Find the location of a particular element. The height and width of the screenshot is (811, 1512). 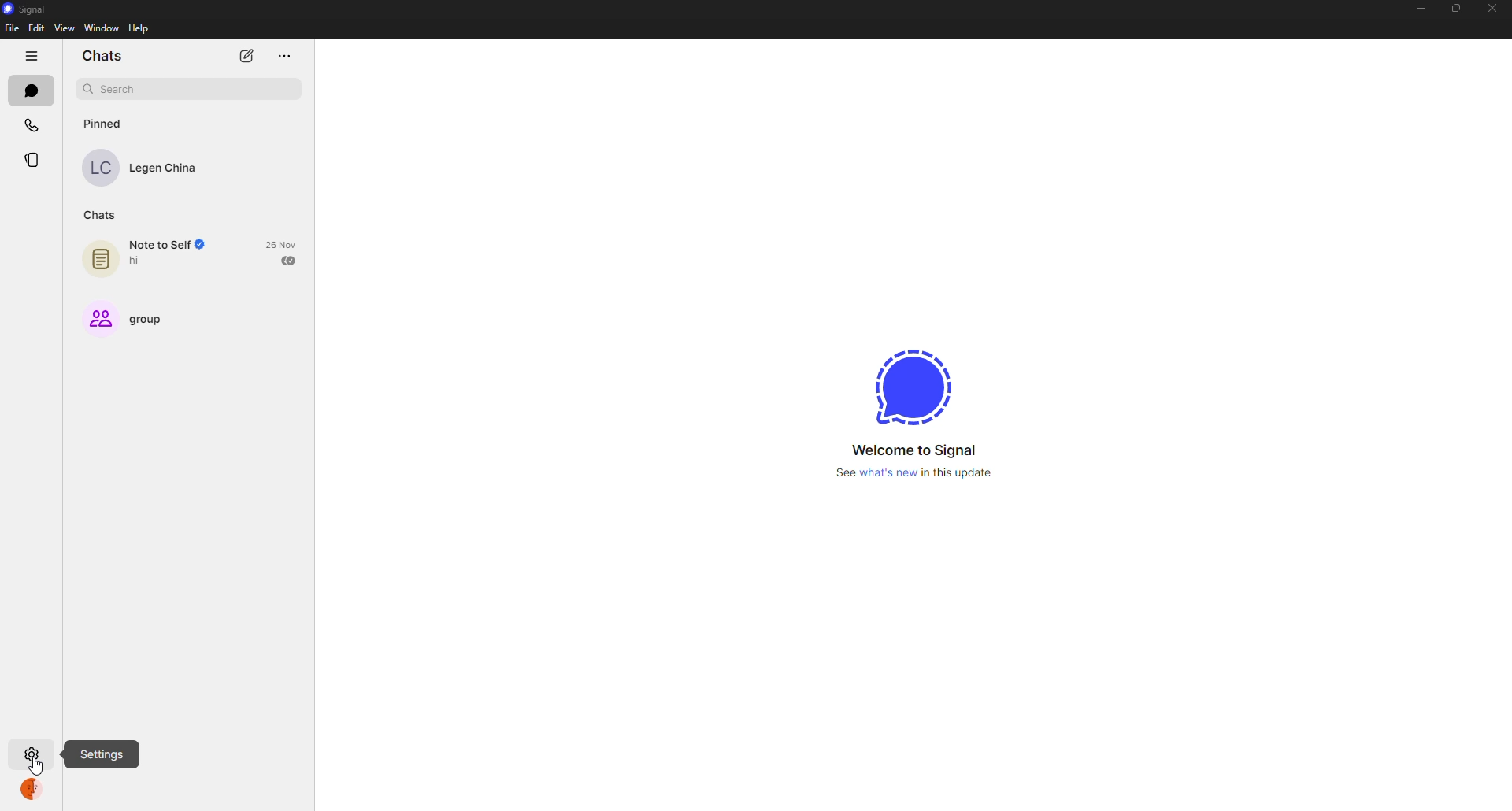

chats is located at coordinates (98, 216).